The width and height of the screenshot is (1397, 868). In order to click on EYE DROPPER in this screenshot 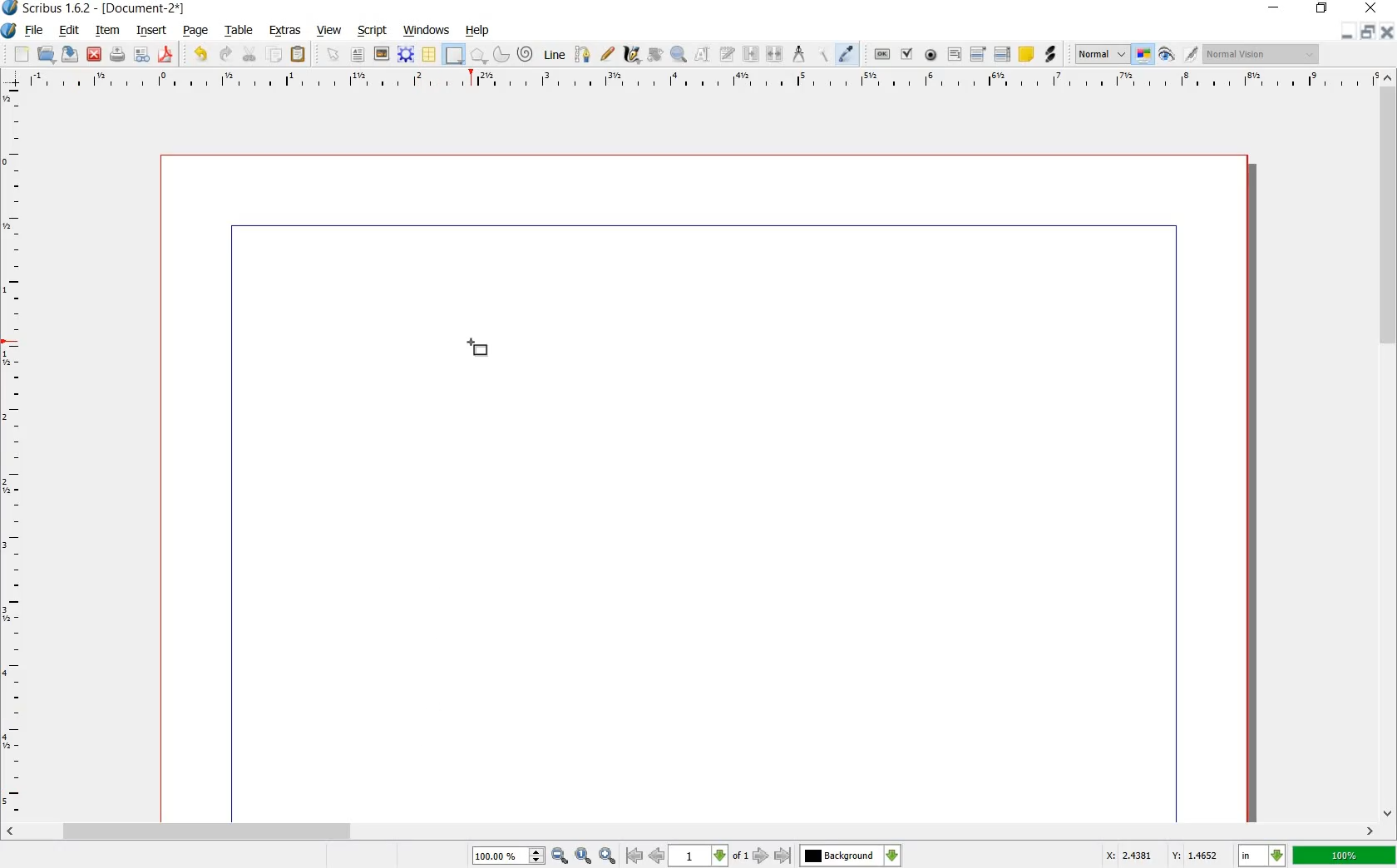, I will do `click(849, 54)`.